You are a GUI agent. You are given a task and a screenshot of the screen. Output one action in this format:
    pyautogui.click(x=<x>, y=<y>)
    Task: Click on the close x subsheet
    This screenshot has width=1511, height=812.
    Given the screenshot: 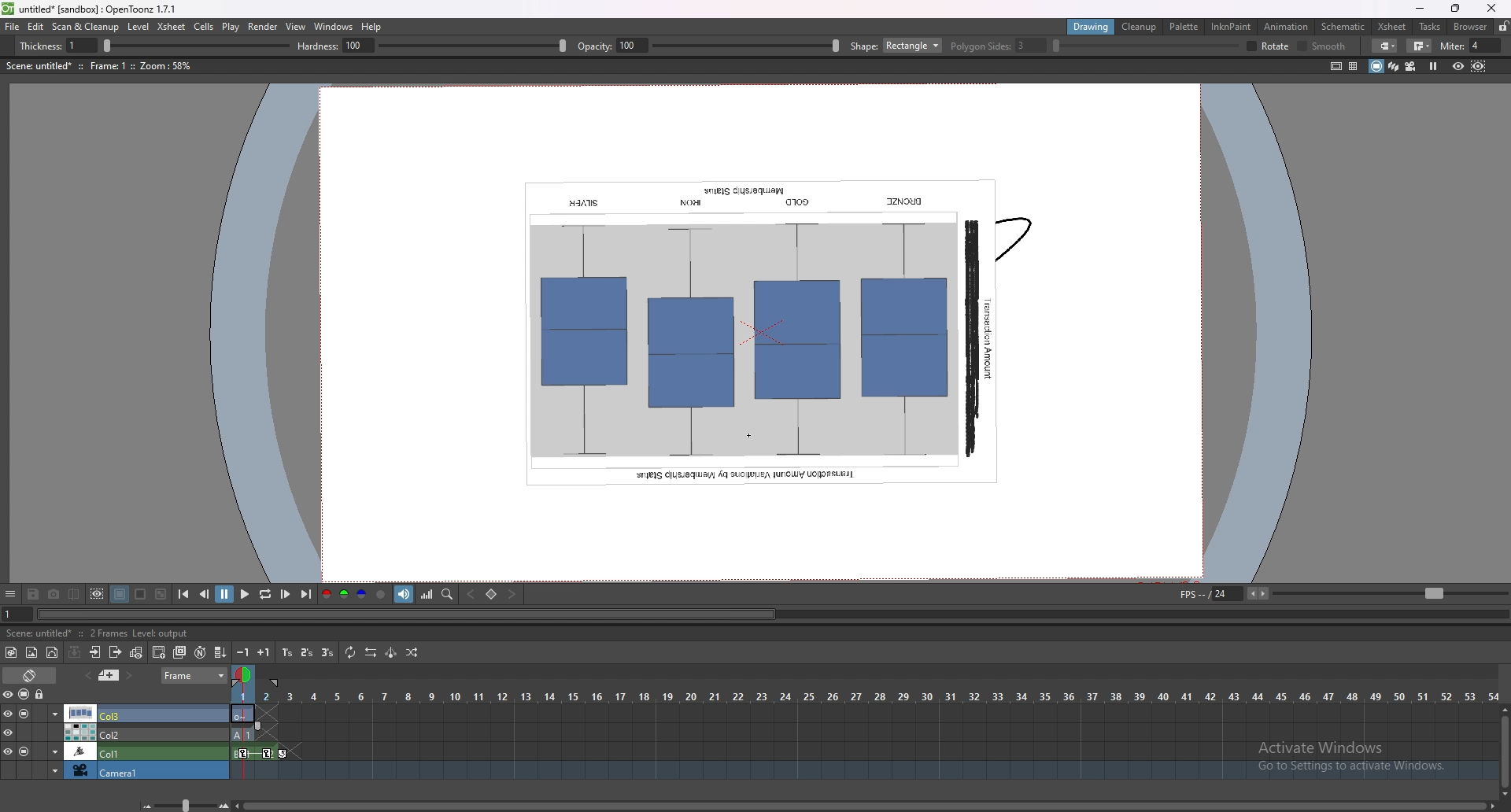 What is the action you would take?
    pyautogui.click(x=114, y=652)
    